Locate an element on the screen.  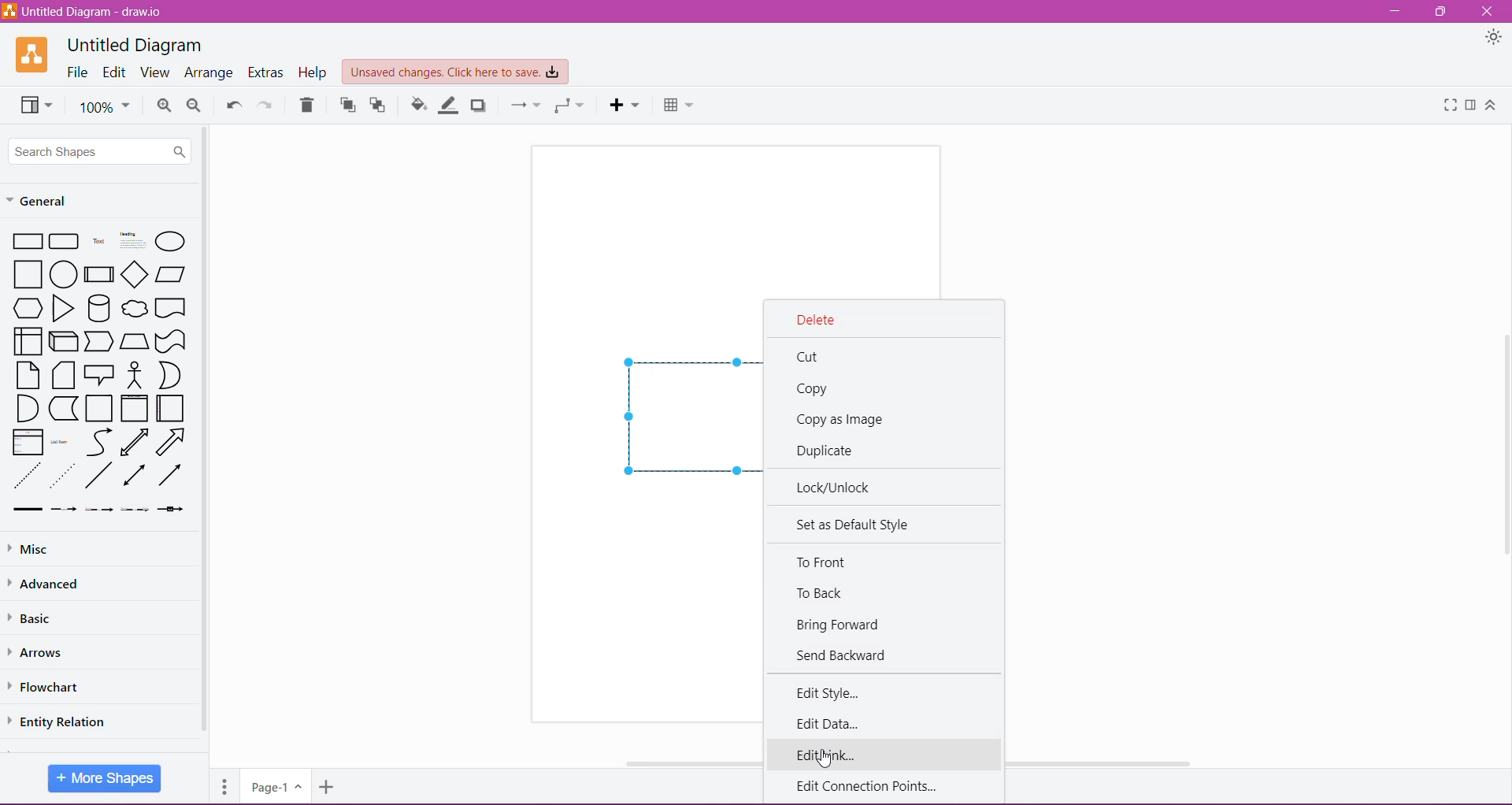
Search Shapes is located at coordinates (101, 152).